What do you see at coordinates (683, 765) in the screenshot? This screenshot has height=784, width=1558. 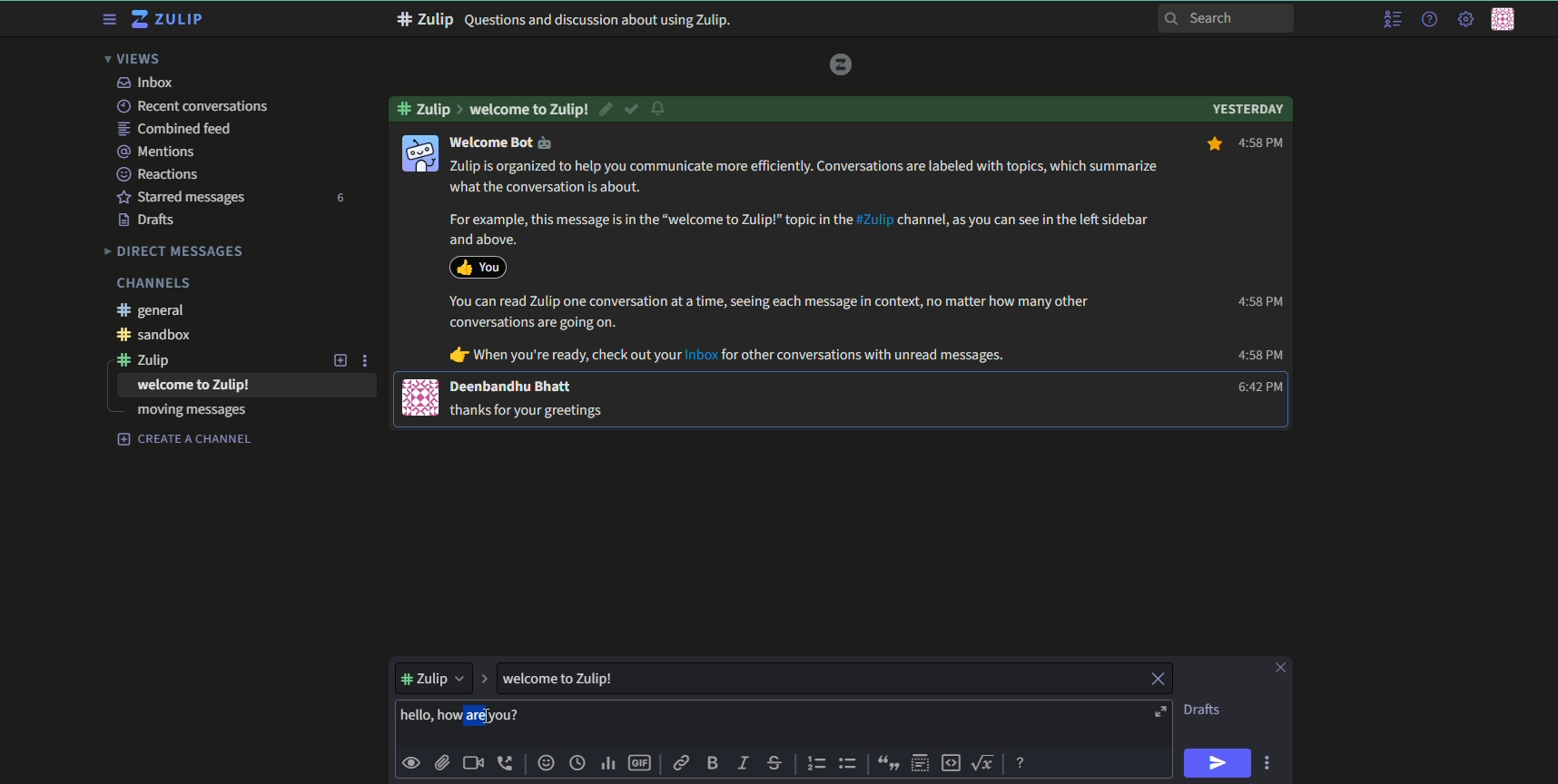 I see `link` at bounding box center [683, 765].